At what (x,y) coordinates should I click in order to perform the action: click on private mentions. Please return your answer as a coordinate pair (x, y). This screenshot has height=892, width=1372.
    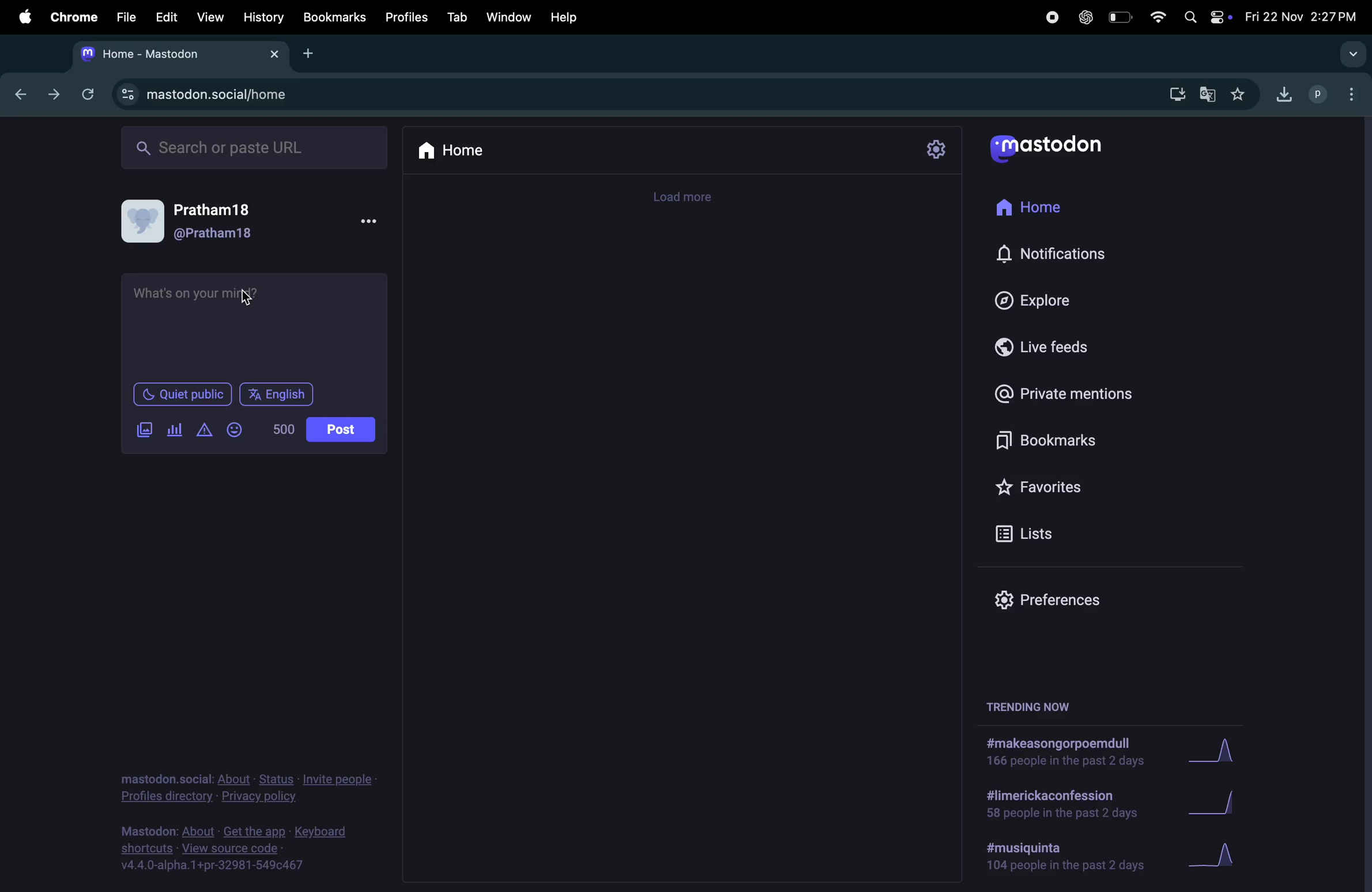
    Looking at the image, I should click on (1071, 393).